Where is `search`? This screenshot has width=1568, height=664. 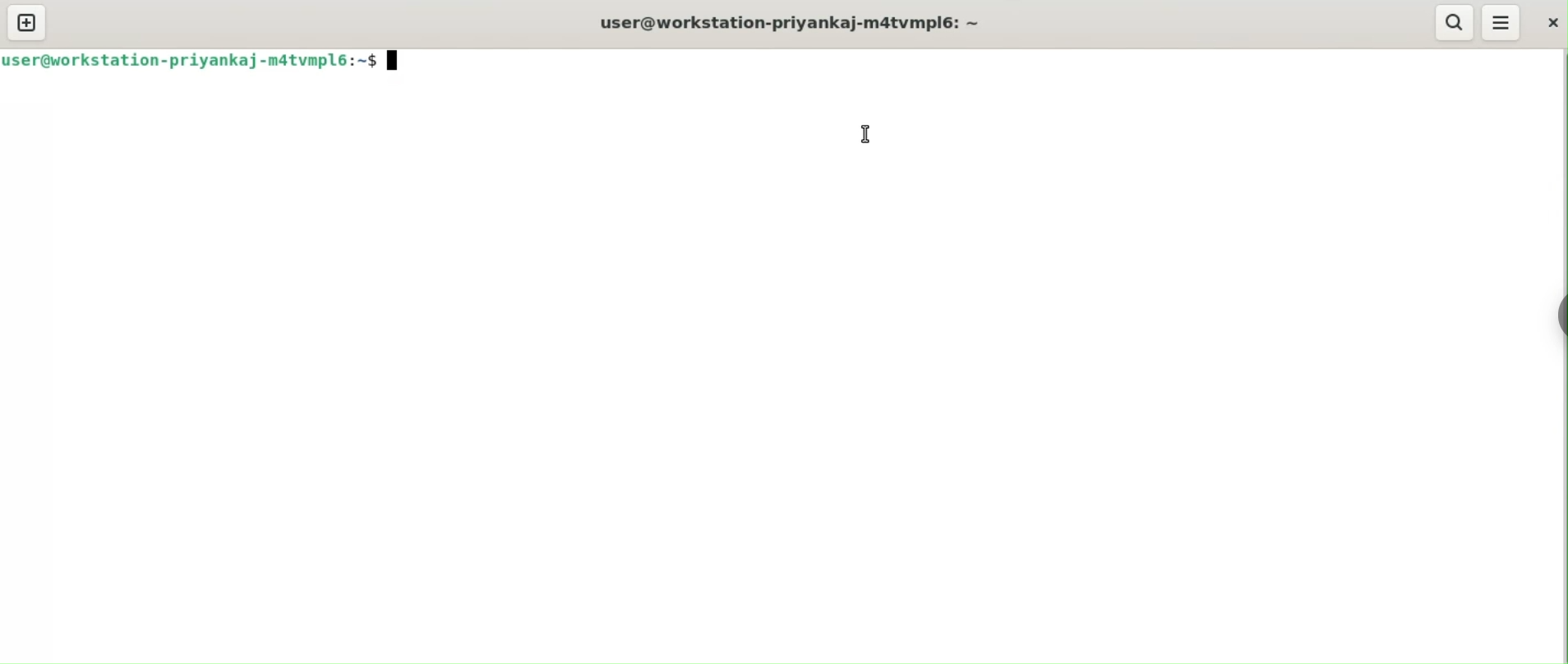
search is located at coordinates (1452, 22).